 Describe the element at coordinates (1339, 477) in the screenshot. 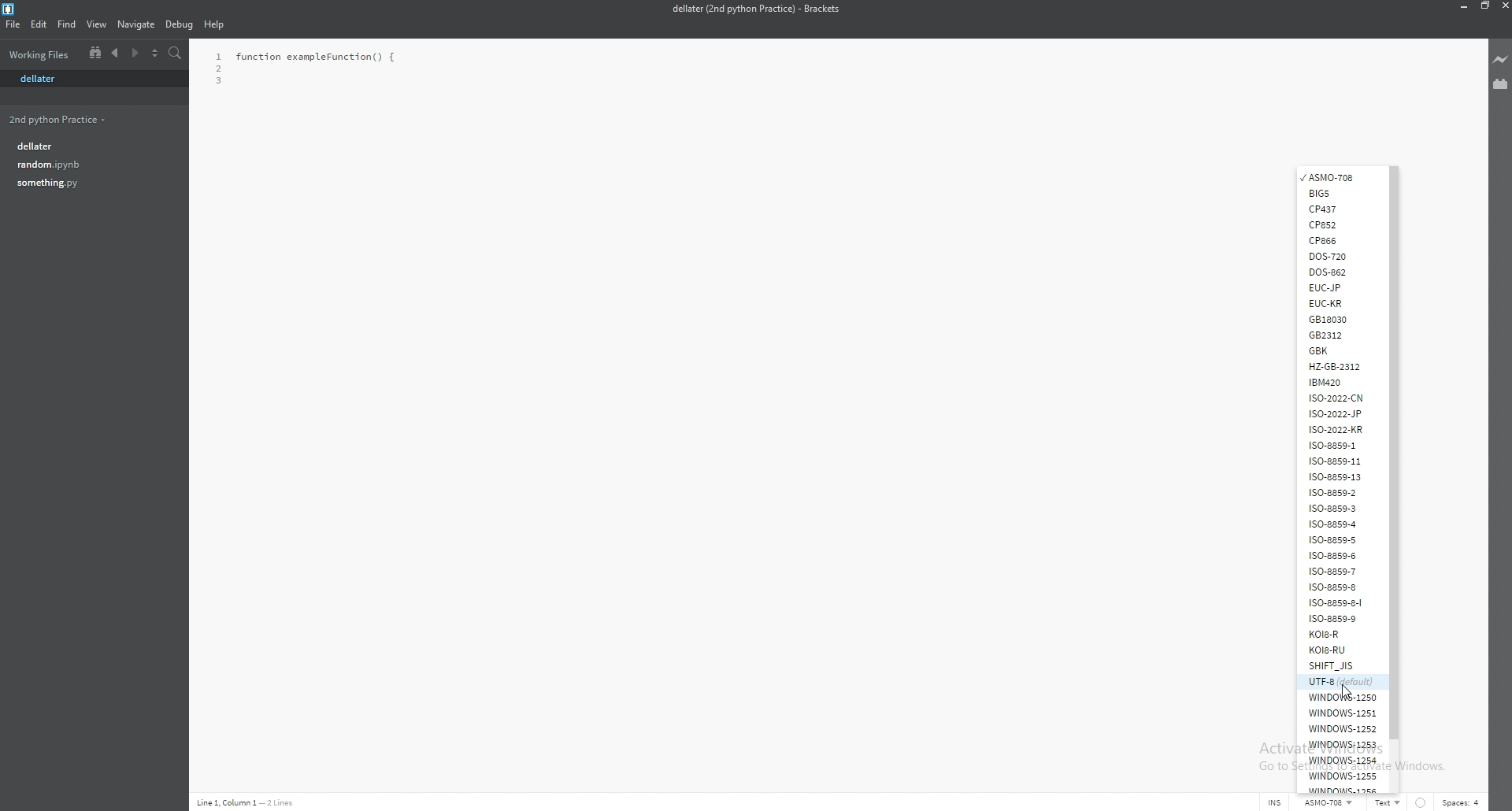

I see `iso-8859-13` at that location.